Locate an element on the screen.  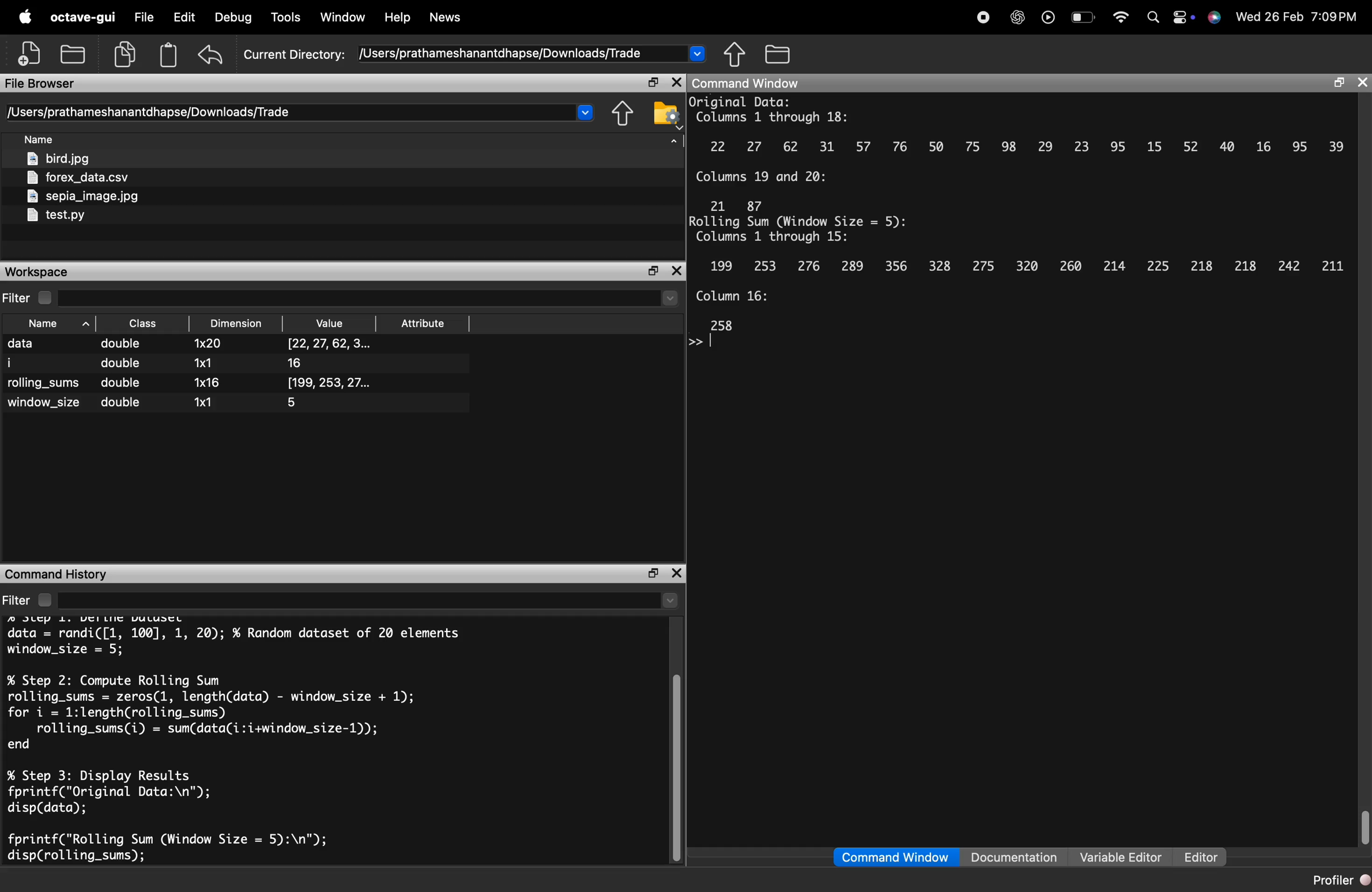
command window is located at coordinates (762, 84).